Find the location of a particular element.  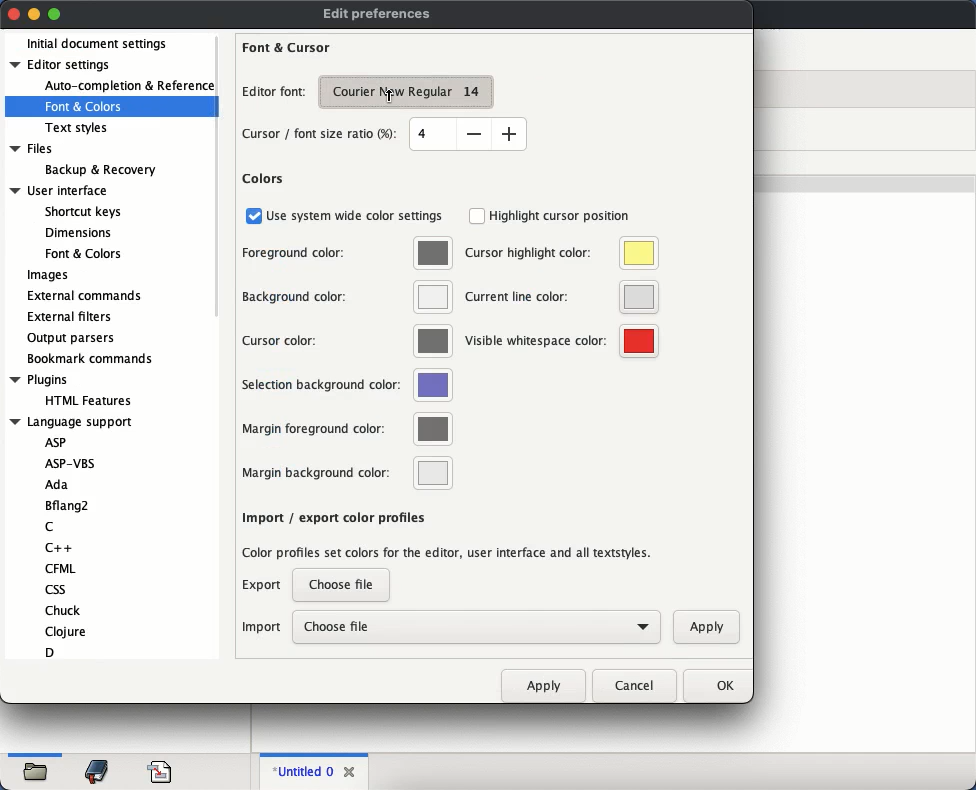

font and cursor is located at coordinates (287, 48).